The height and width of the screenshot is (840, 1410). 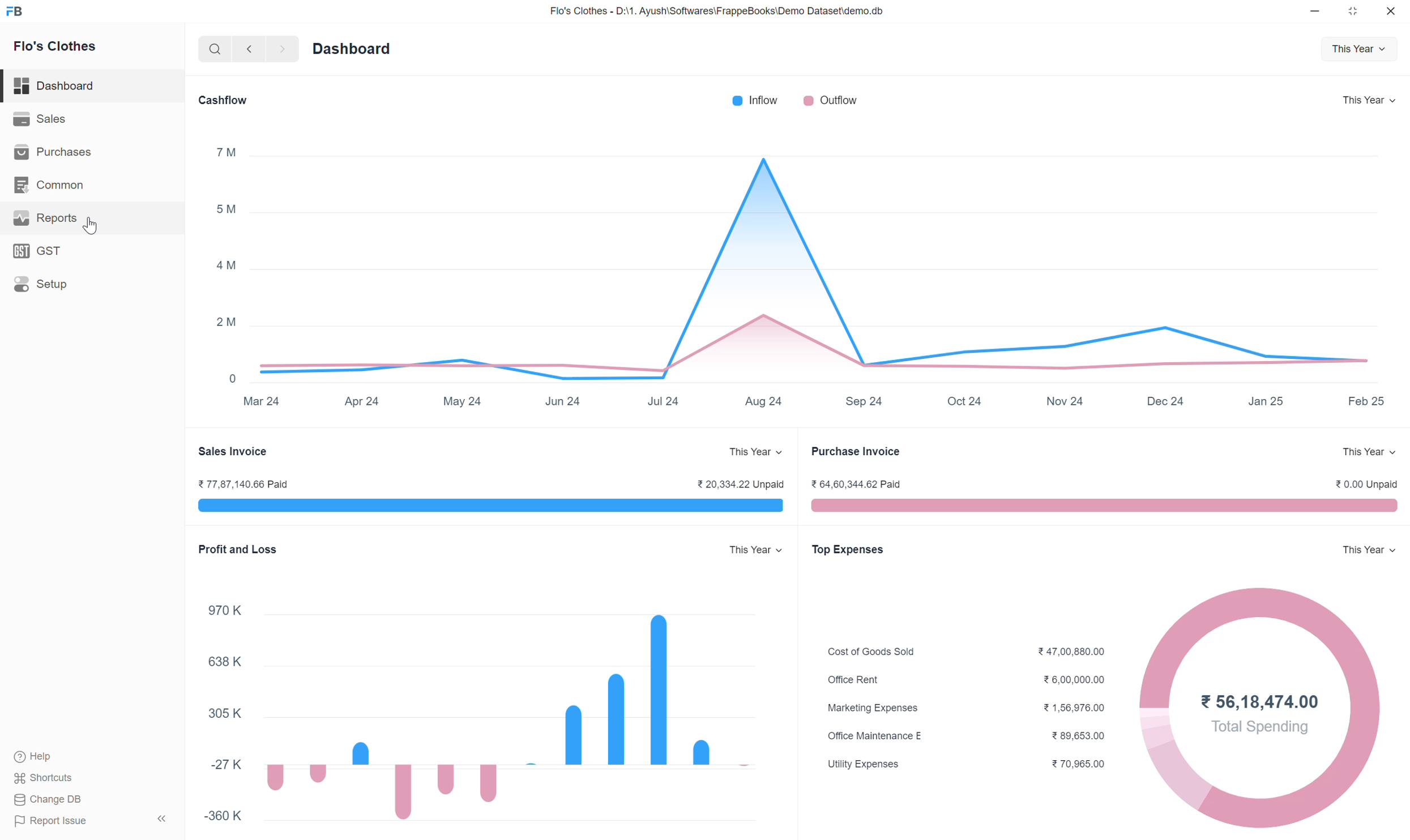 What do you see at coordinates (228, 322) in the screenshot?
I see `2 M` at bounding box center [228, 322].